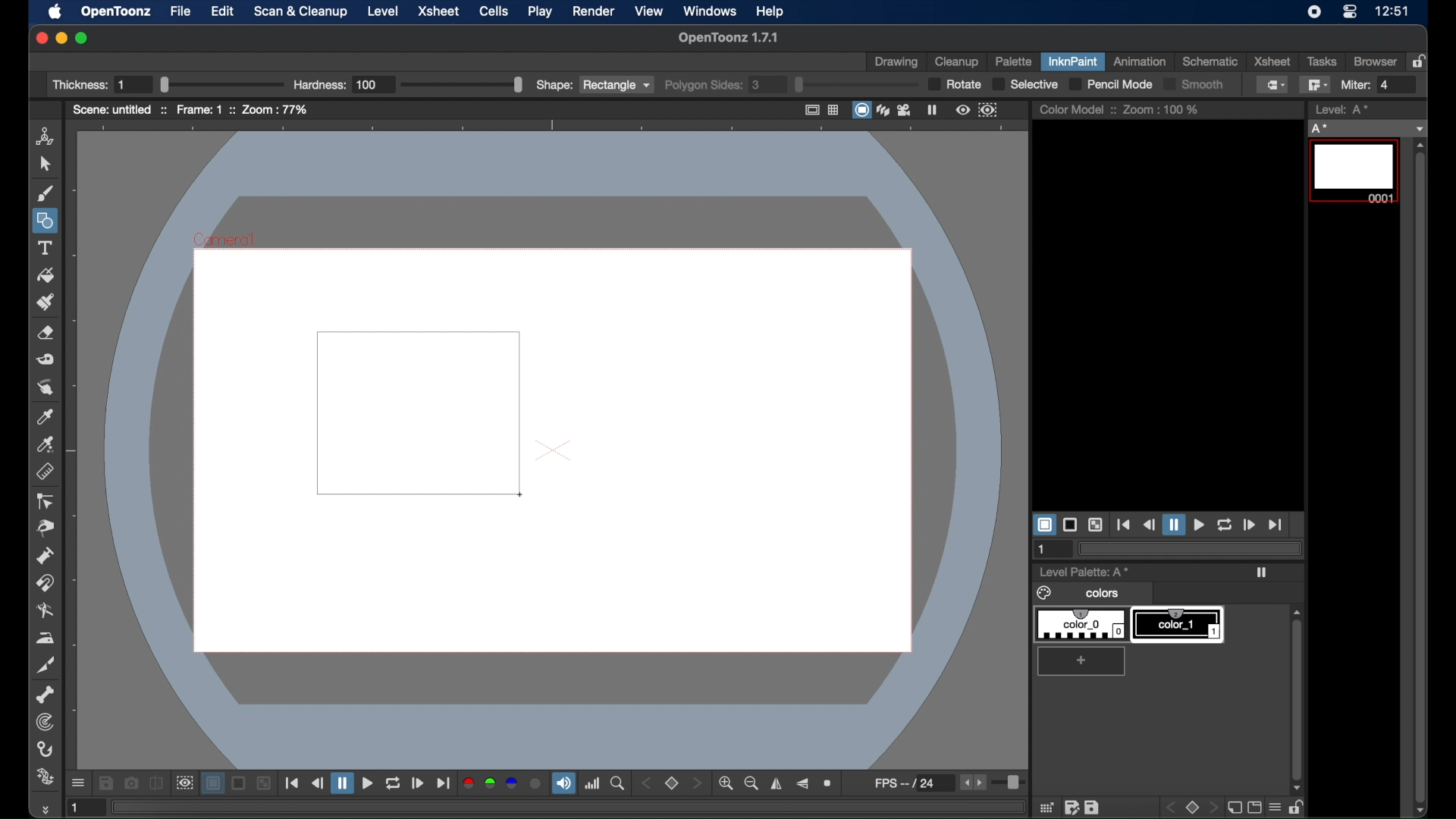 The width and height of the screenshot is (1456, 819). Describe the element at coordinates (802, 784) in the screenshot. I see `flip vertically` at that location.